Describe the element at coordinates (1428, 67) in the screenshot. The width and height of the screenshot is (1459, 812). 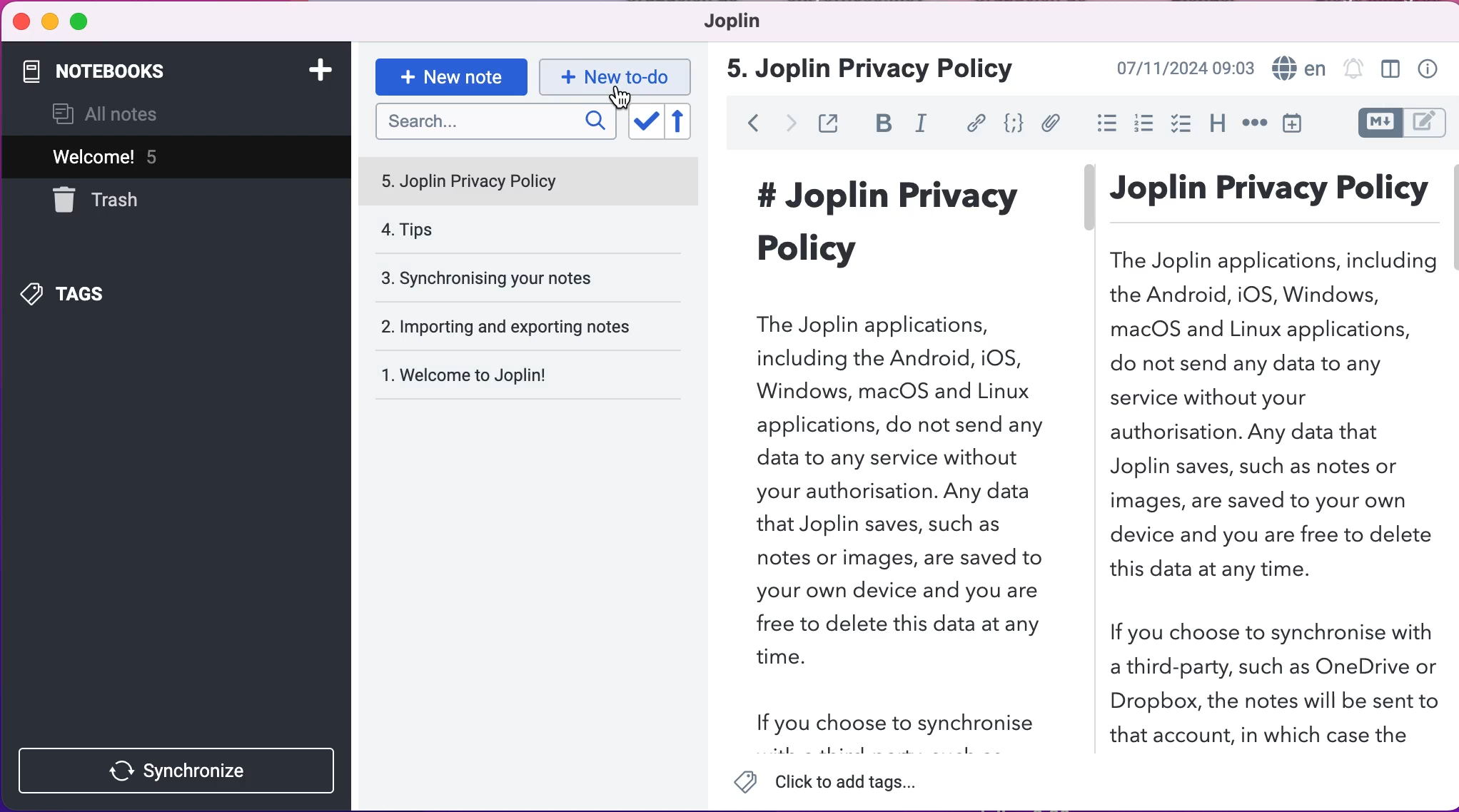
I see `note properties` at that location.